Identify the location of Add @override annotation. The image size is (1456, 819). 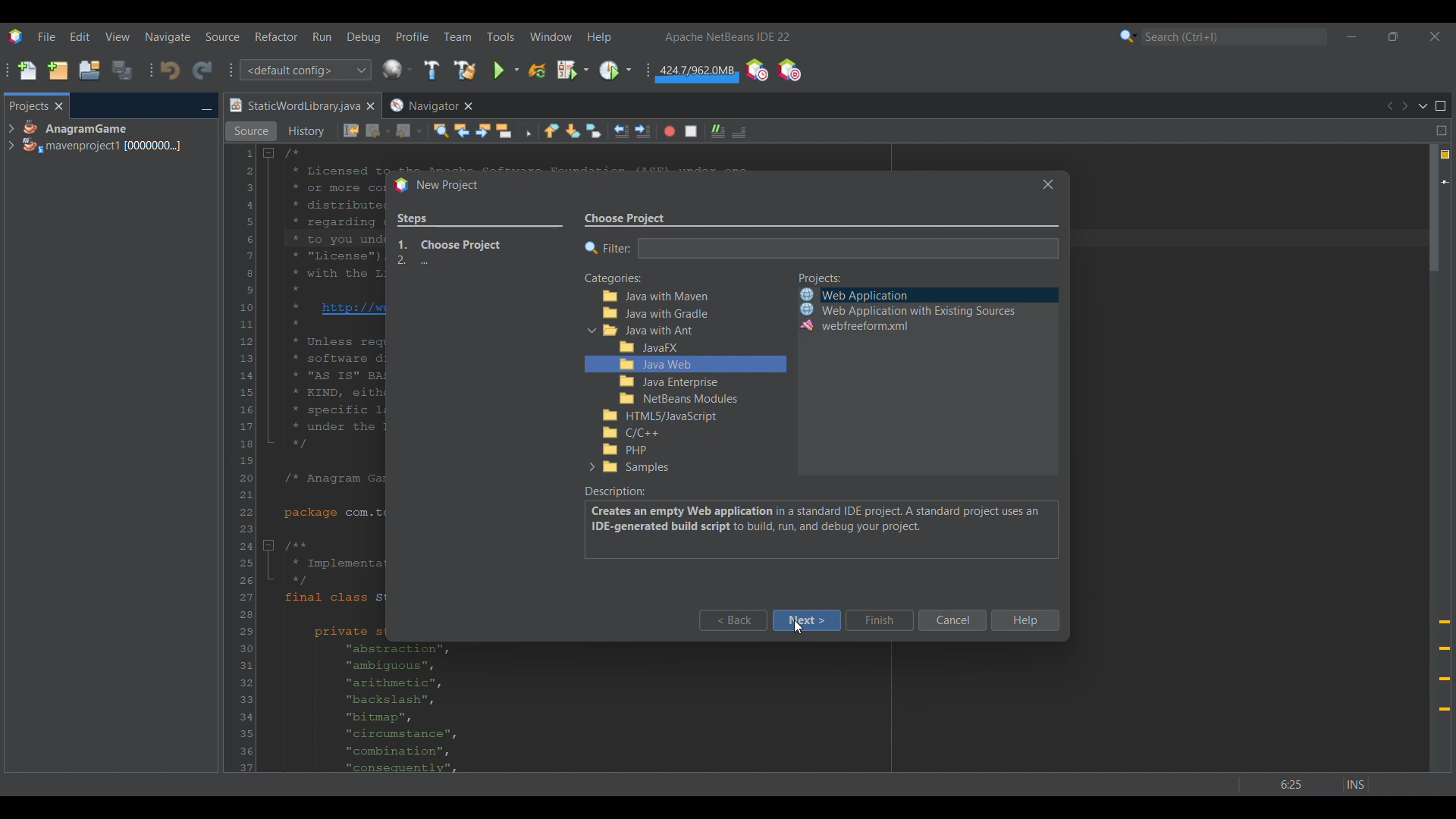
(1445, 666).